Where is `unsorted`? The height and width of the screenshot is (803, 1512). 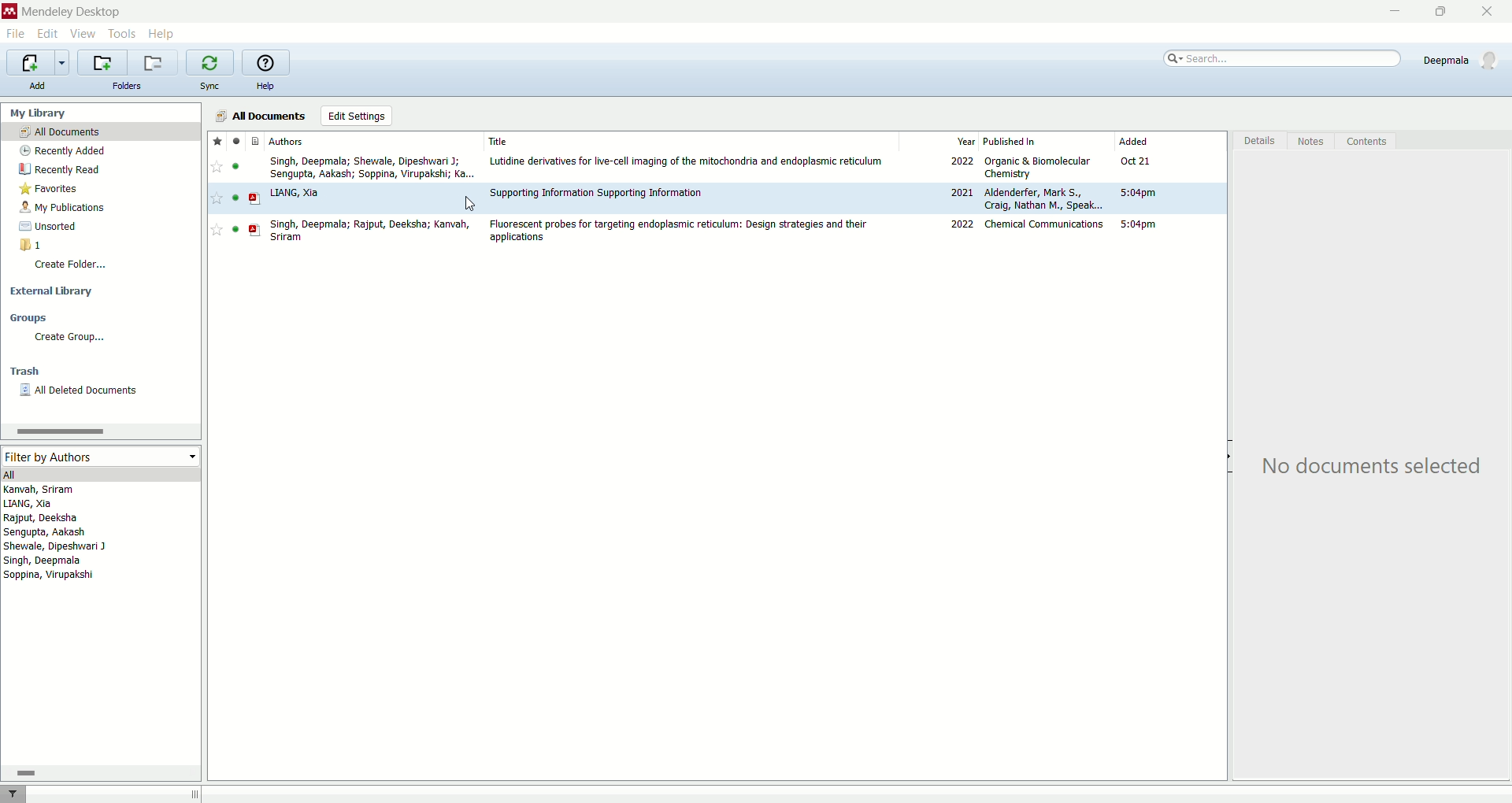 unsorted is located at coordinates (52, 227).